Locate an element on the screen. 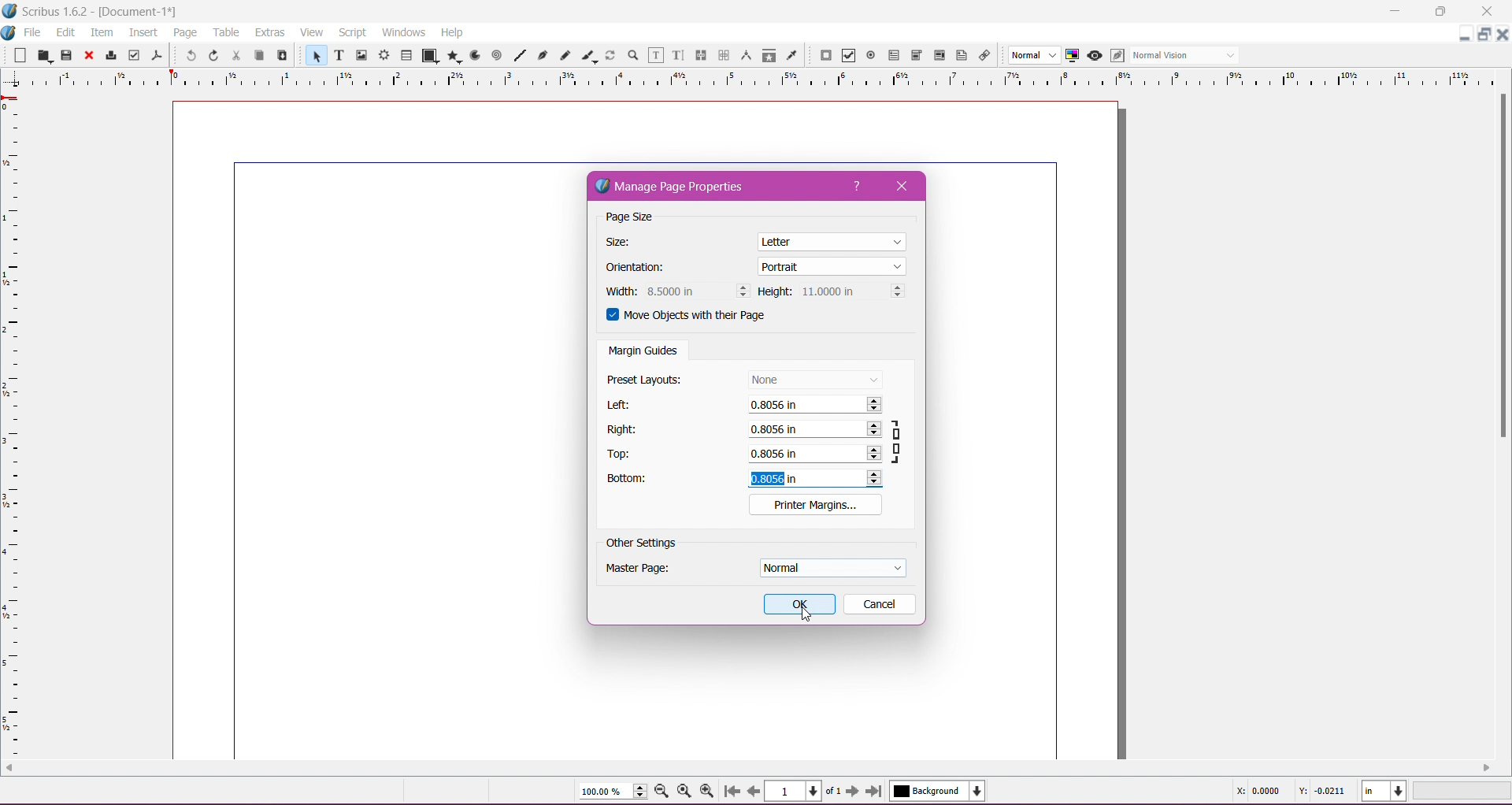  Ruler is located at coordinates (750, 79).